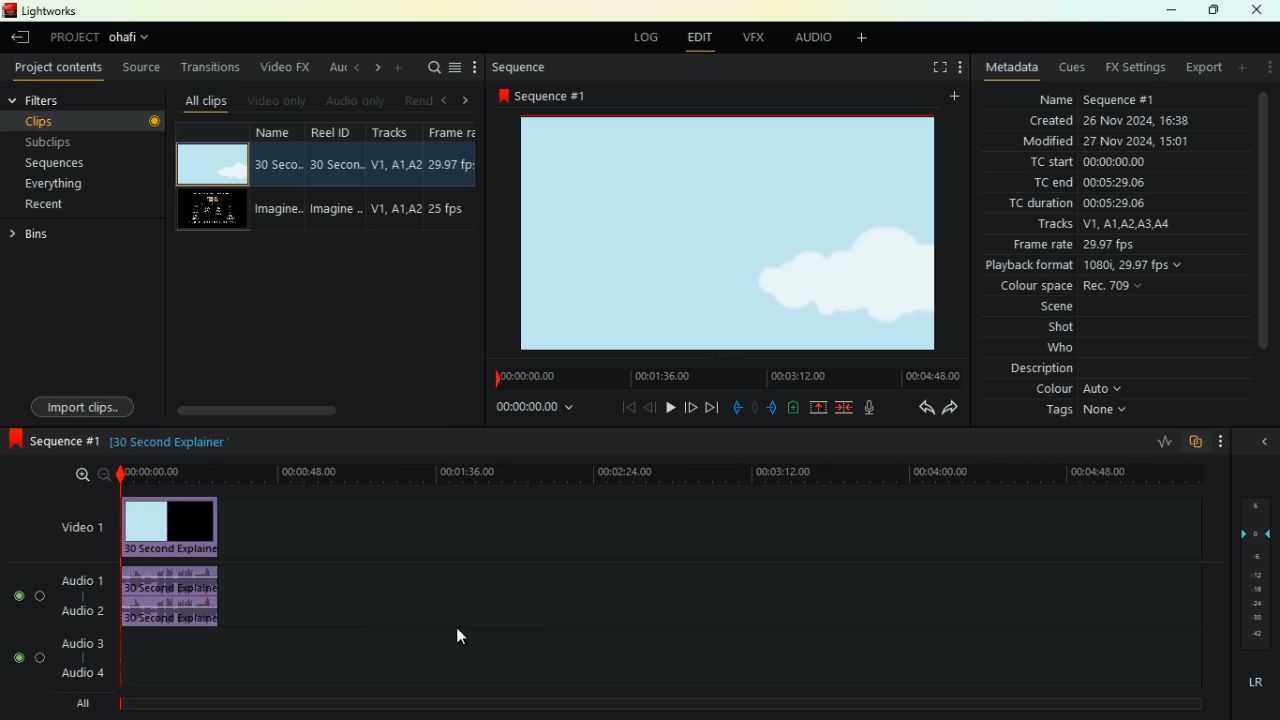  I want to click on import clips, so click(83, 405).